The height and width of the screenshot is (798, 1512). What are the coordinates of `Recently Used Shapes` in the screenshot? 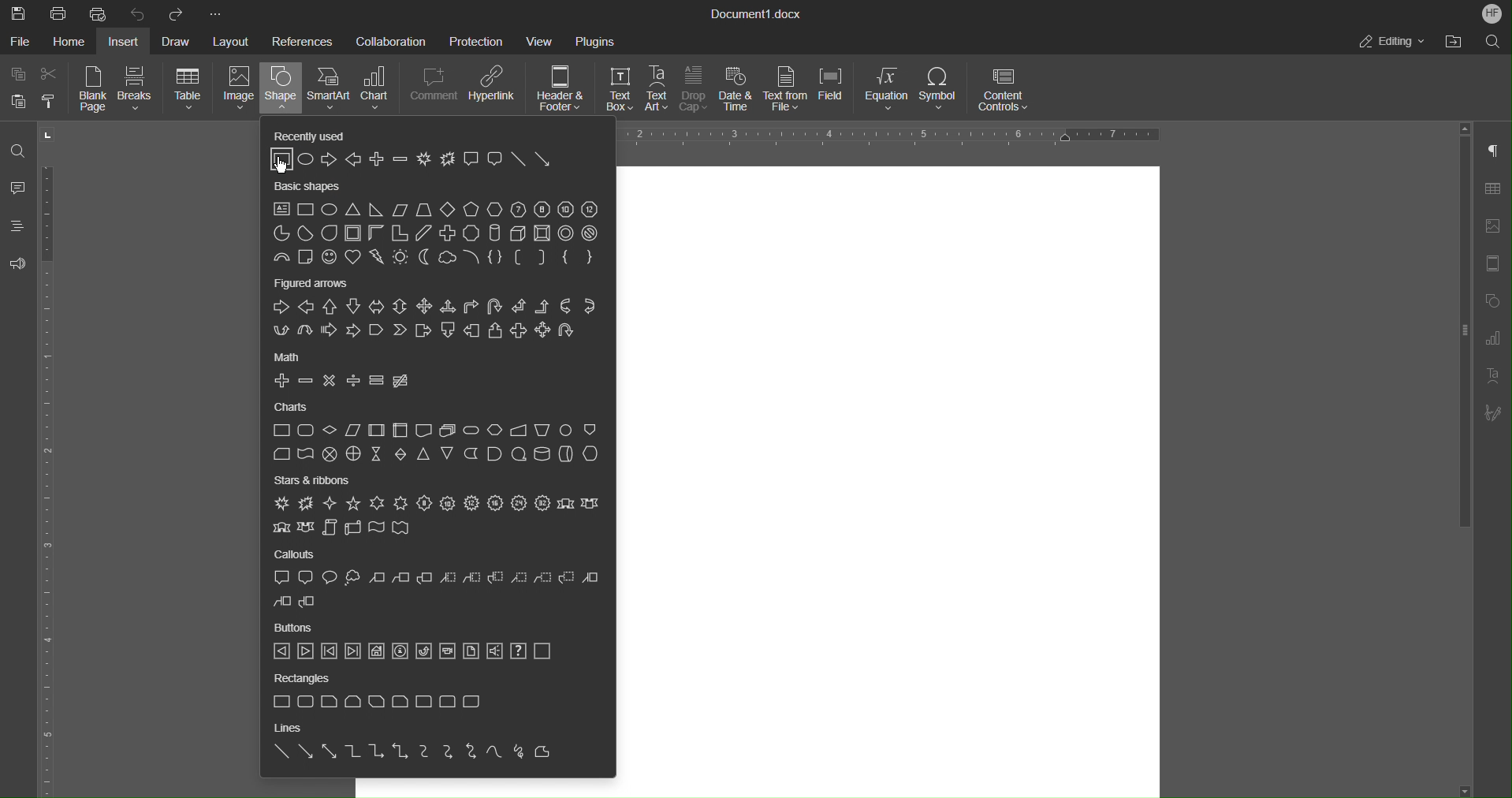 It's located at (409, 162).